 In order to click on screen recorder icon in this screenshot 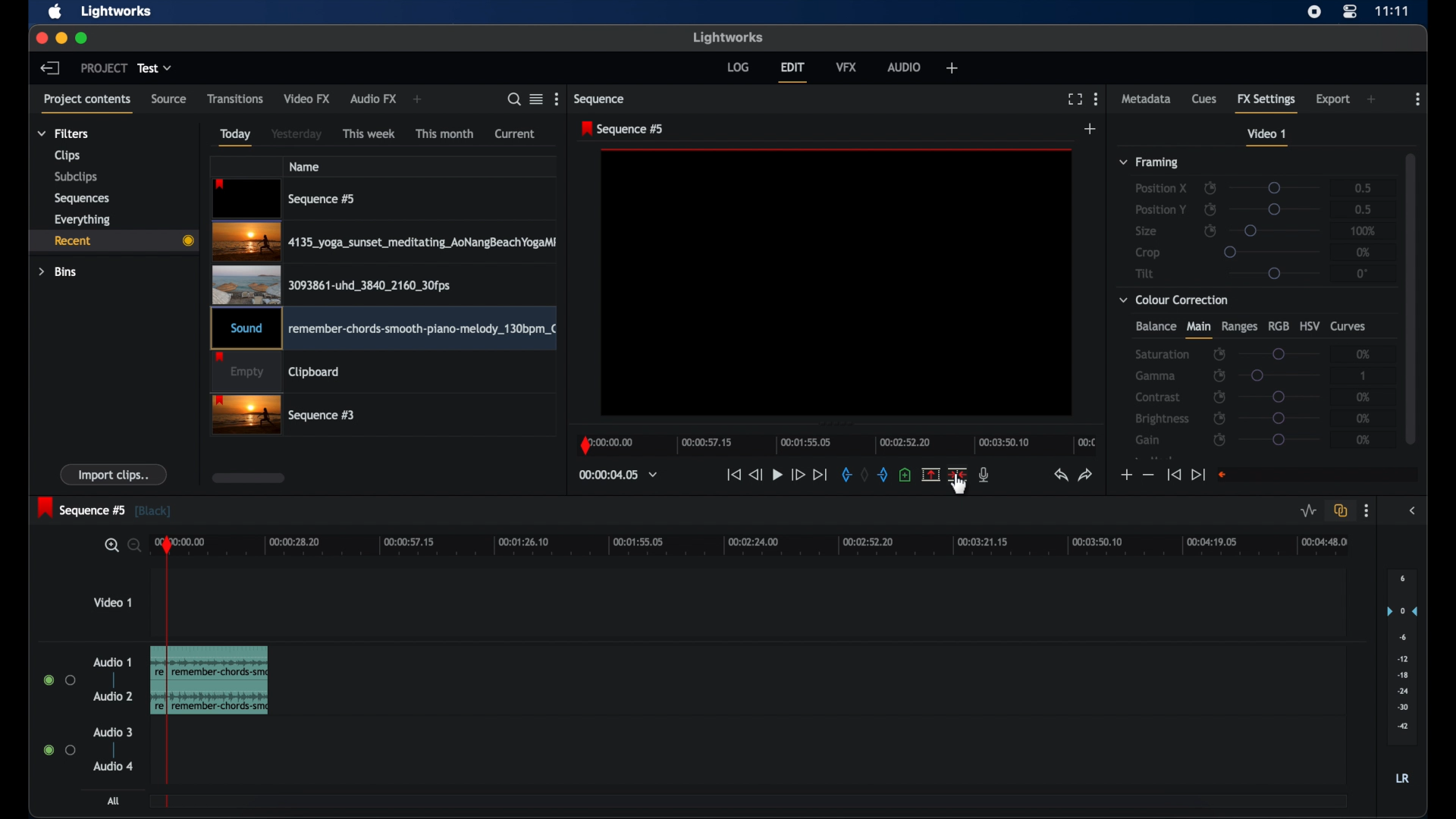, I will do `click(1314, 12)`.